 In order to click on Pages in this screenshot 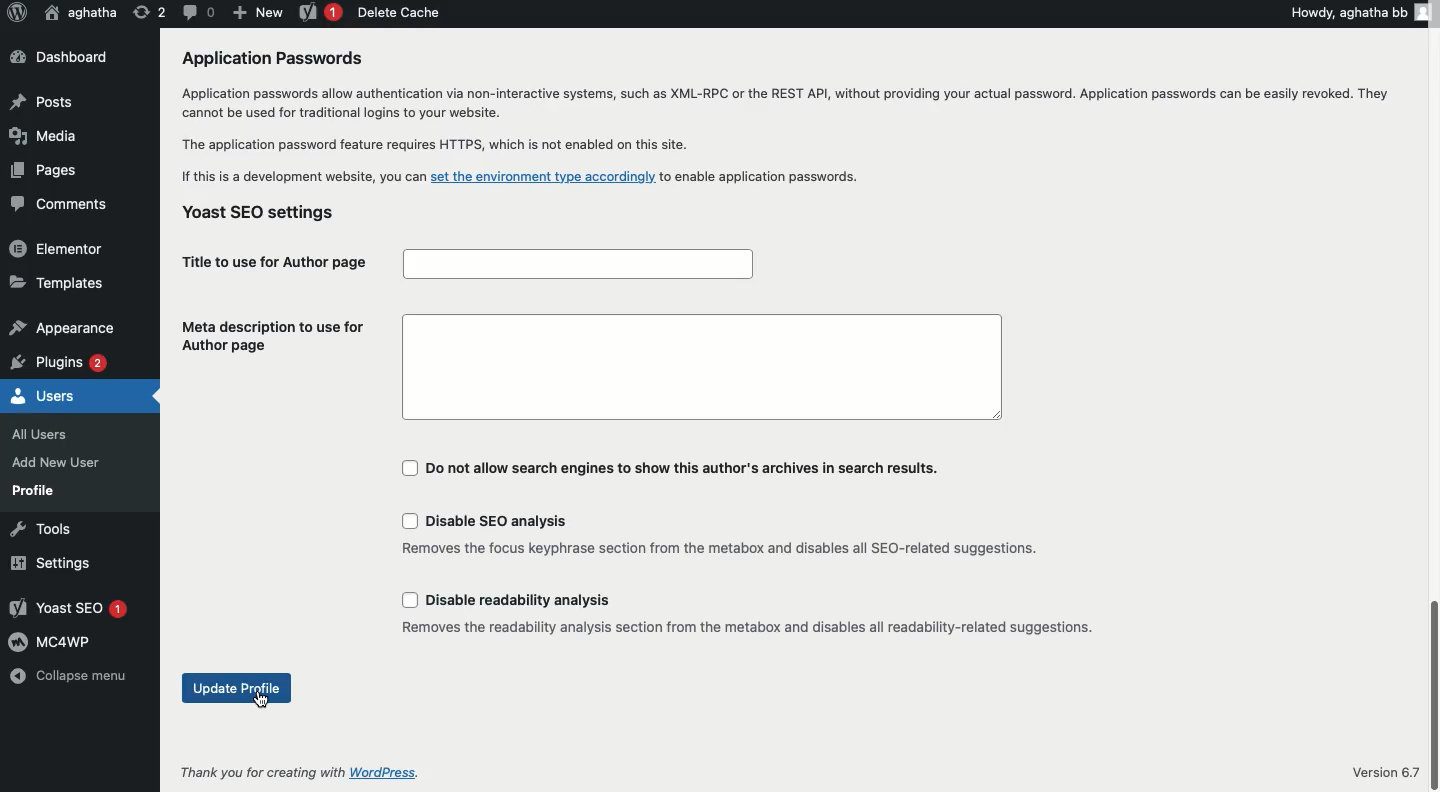, I will do `click(46, 169)`.